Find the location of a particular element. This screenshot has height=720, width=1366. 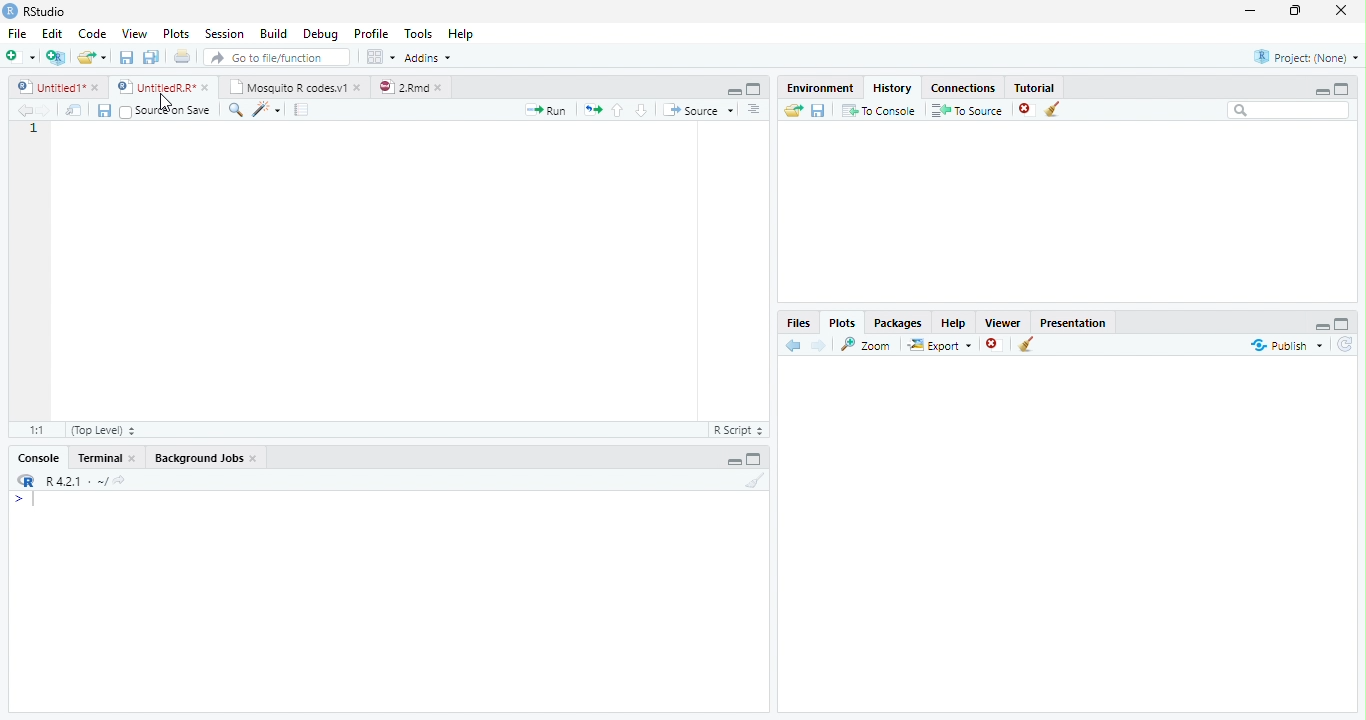

Save File is located at coordinates (819, 110).